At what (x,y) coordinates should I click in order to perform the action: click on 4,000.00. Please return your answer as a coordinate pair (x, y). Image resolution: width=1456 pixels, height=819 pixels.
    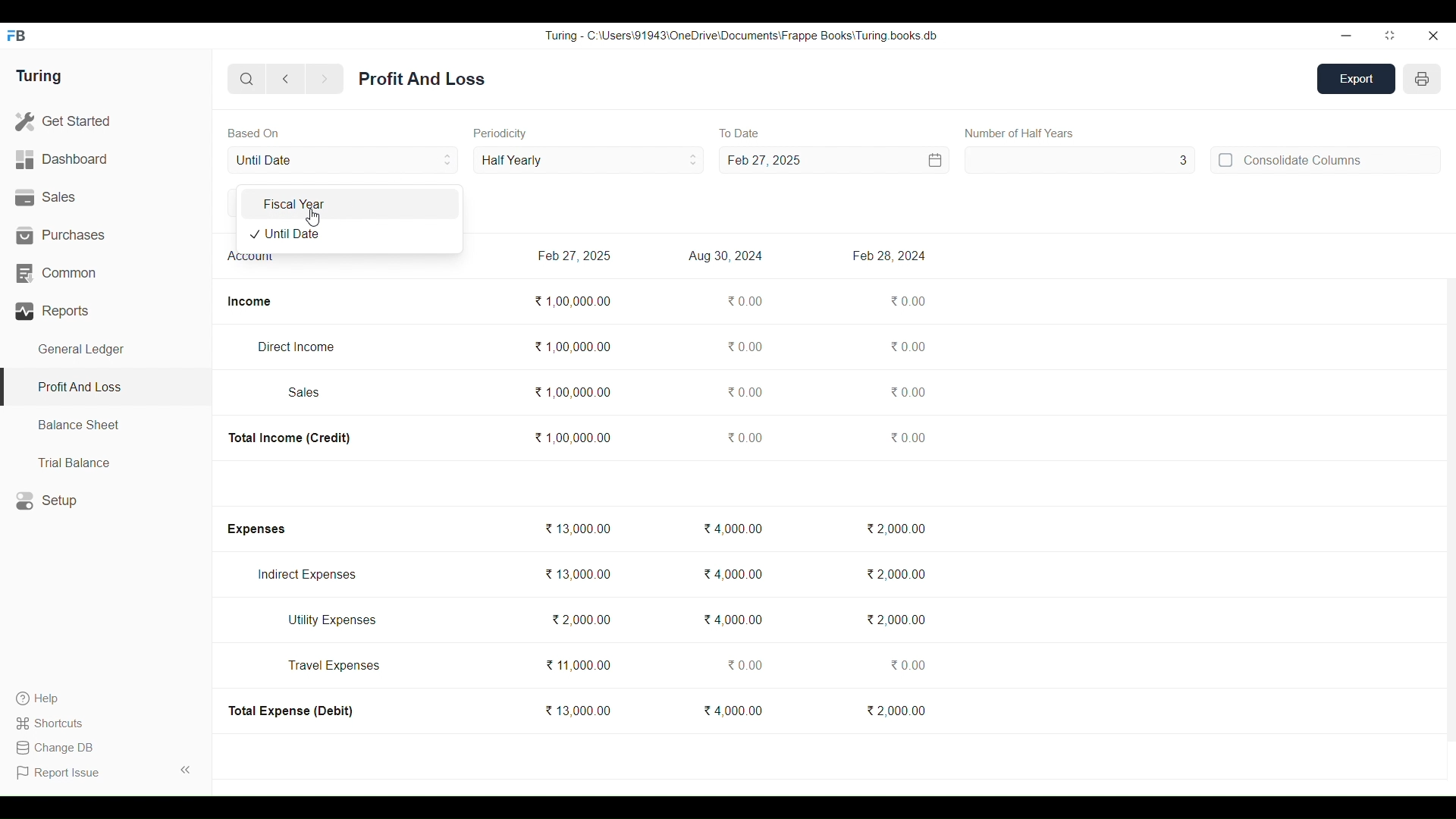
    Looking at the image, I should click on (733, 619).